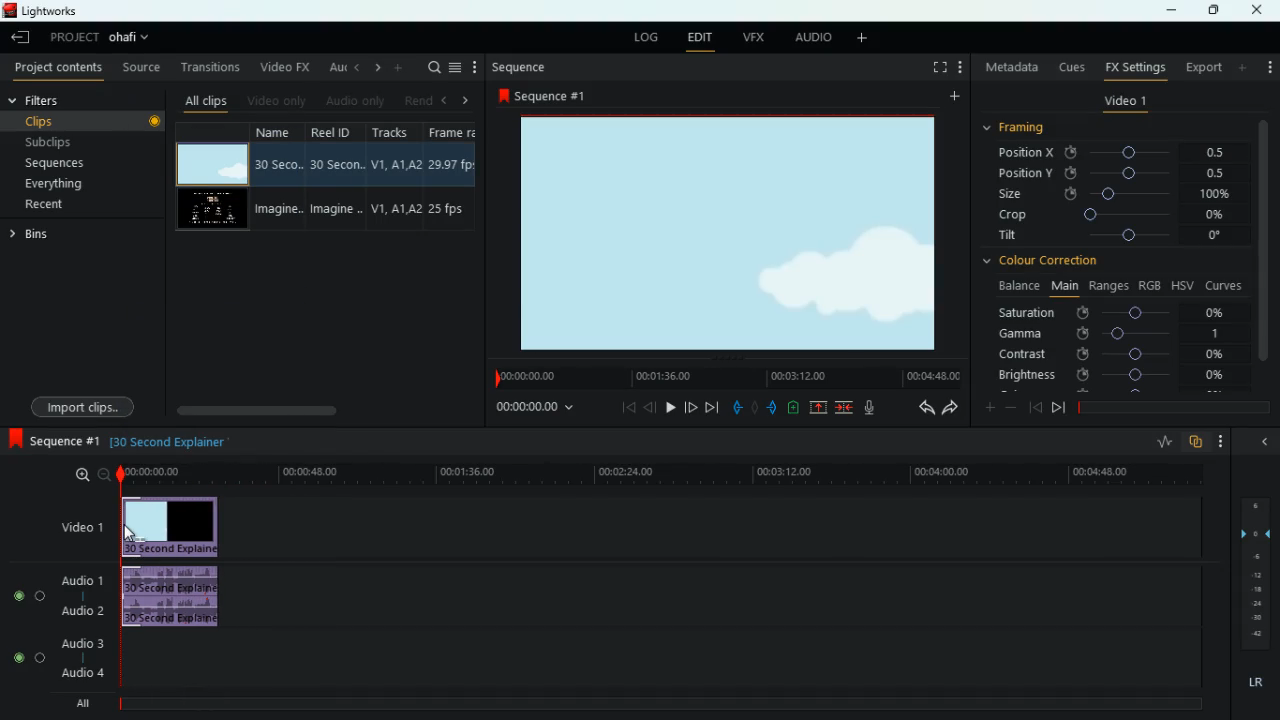  Describe the element at coordinates (1253, 684) in the screenshot. I see `lr` at that location.